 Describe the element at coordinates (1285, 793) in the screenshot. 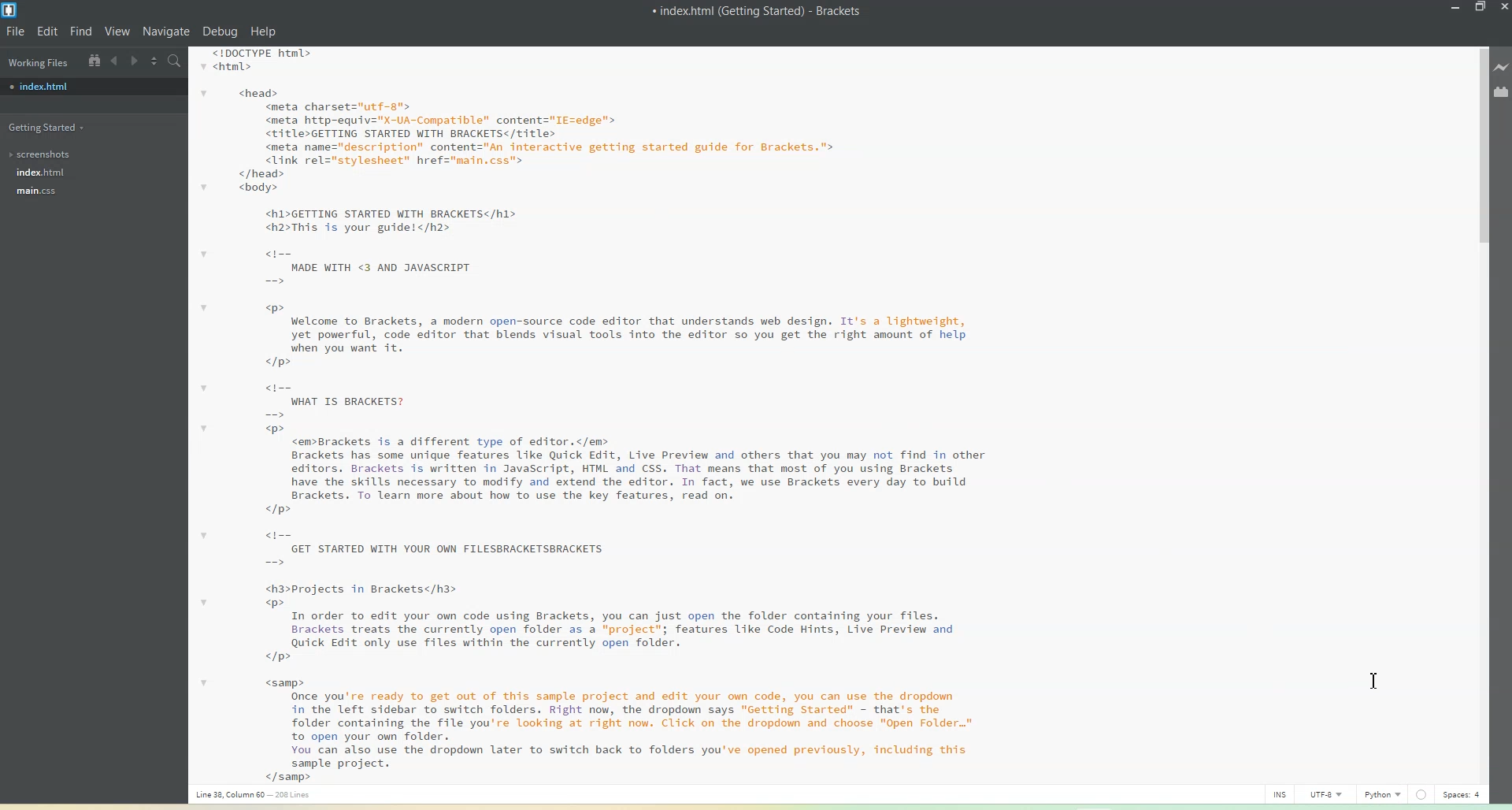

I see `INS` at that location.